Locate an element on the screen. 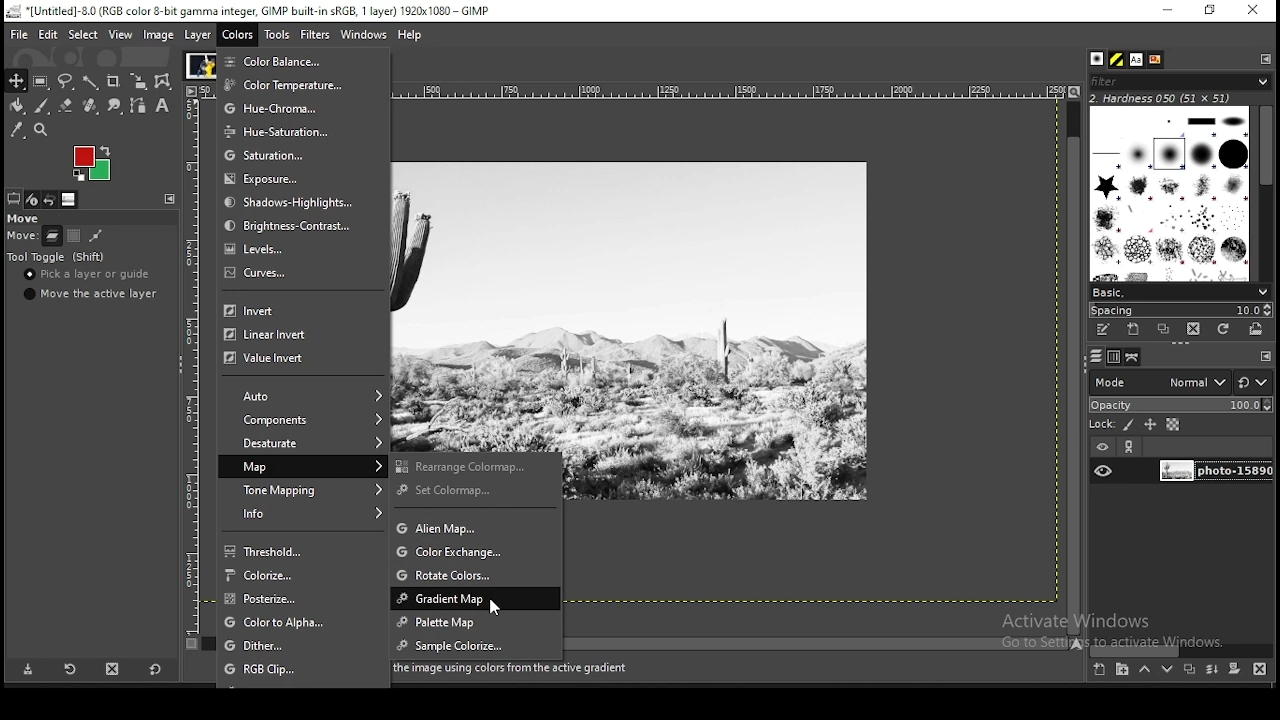  color to alpha is located at coordinates (305, 623).